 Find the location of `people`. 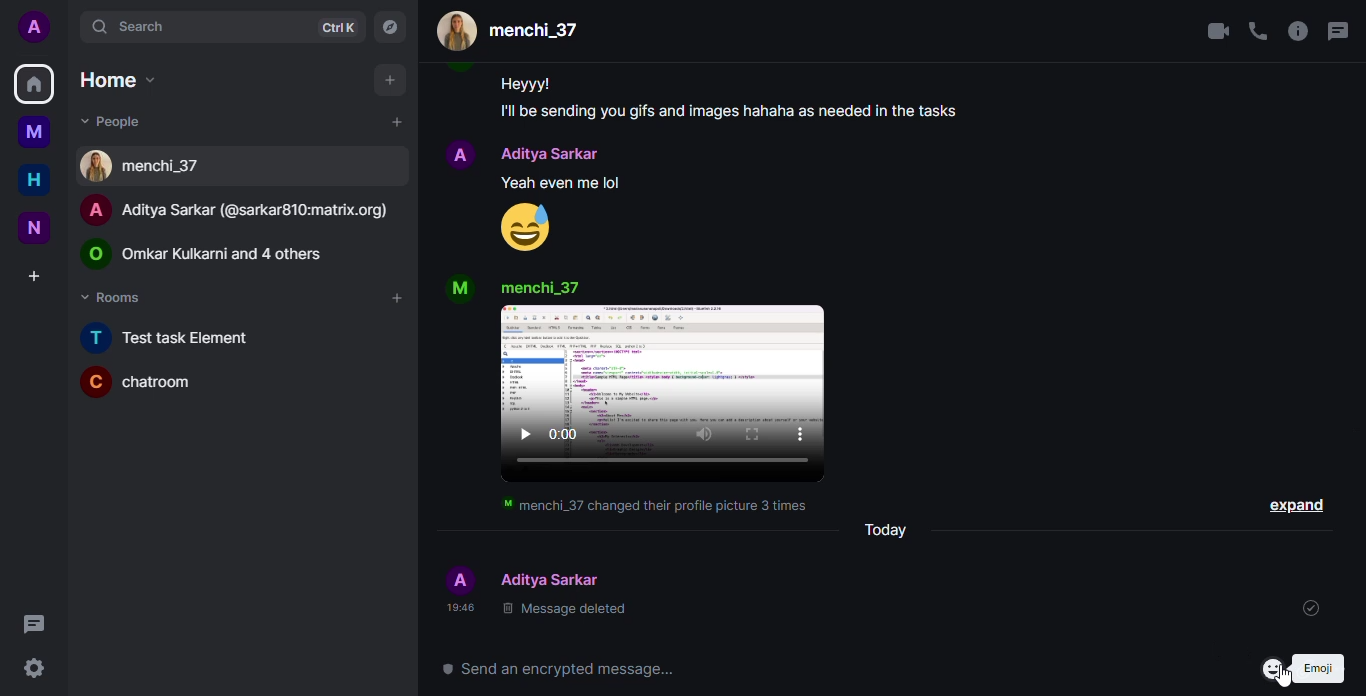

people is located at coordinates (553, 153).